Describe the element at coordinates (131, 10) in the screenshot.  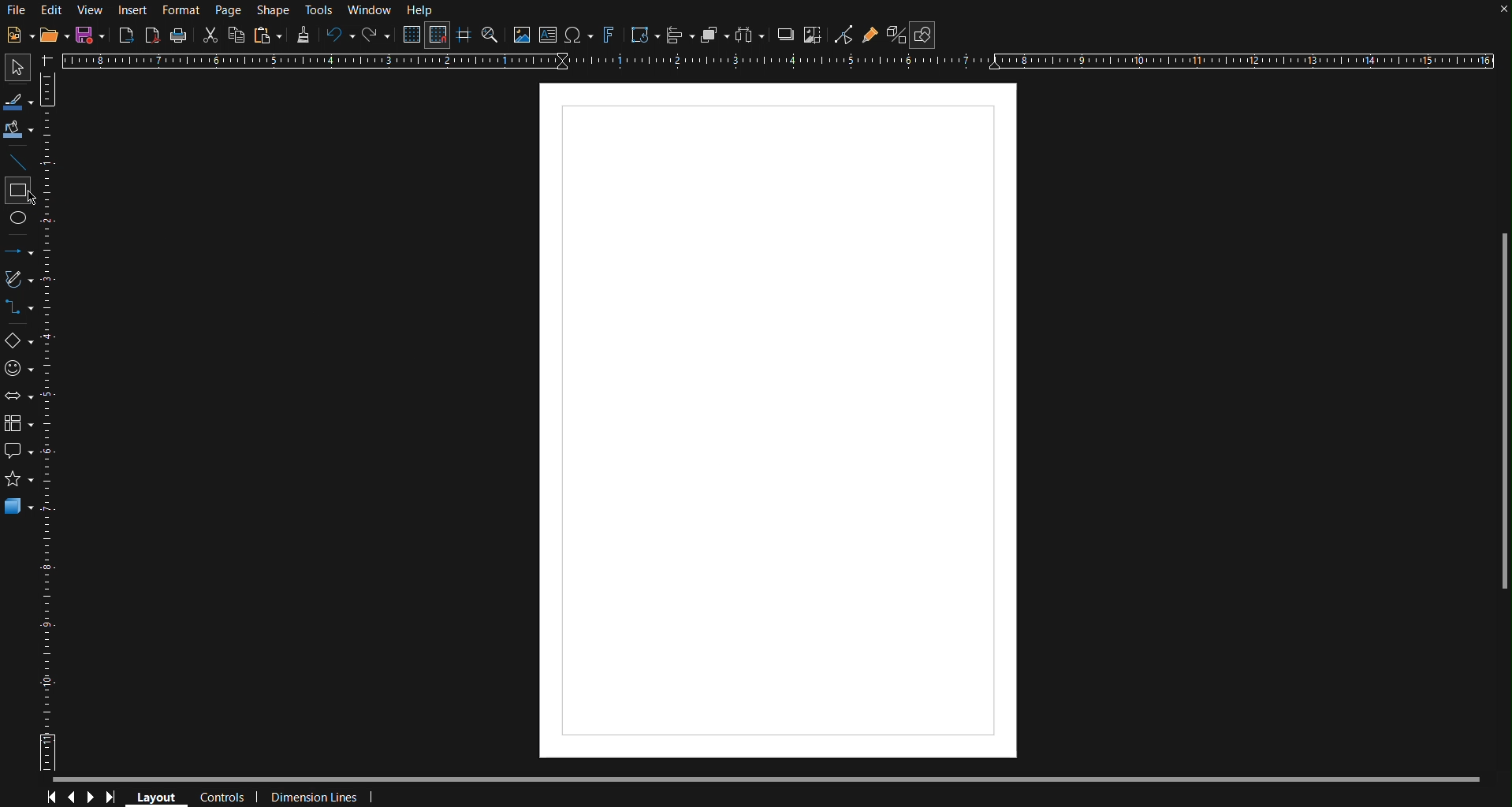
I see `Insert` at that location.